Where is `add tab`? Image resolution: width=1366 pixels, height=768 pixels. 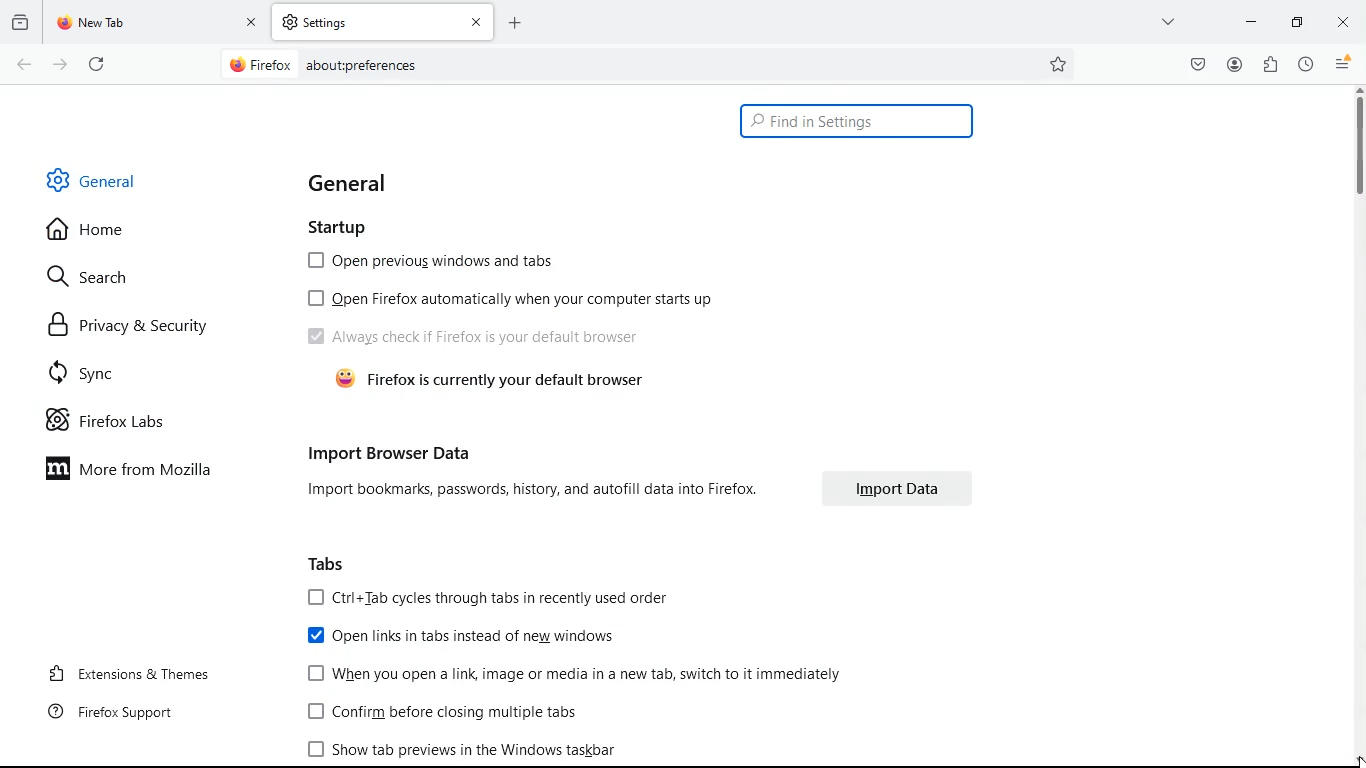 add tab is located at coordinates (515, 22).